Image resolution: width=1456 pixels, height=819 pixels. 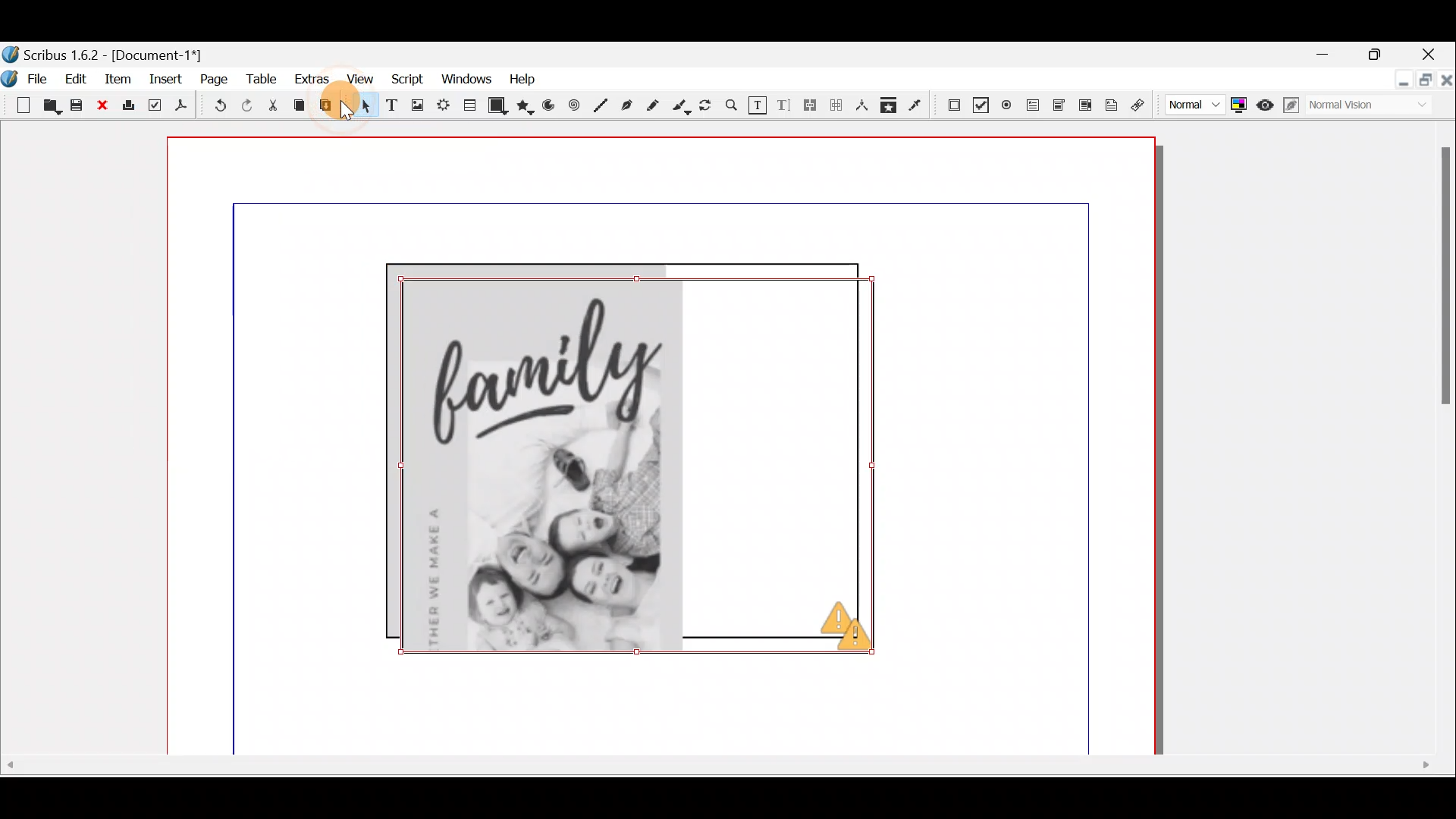 What do you see at coordinates (1434, 51) in the screenshot?
I see `Close` at bounding box center [1434, 51].